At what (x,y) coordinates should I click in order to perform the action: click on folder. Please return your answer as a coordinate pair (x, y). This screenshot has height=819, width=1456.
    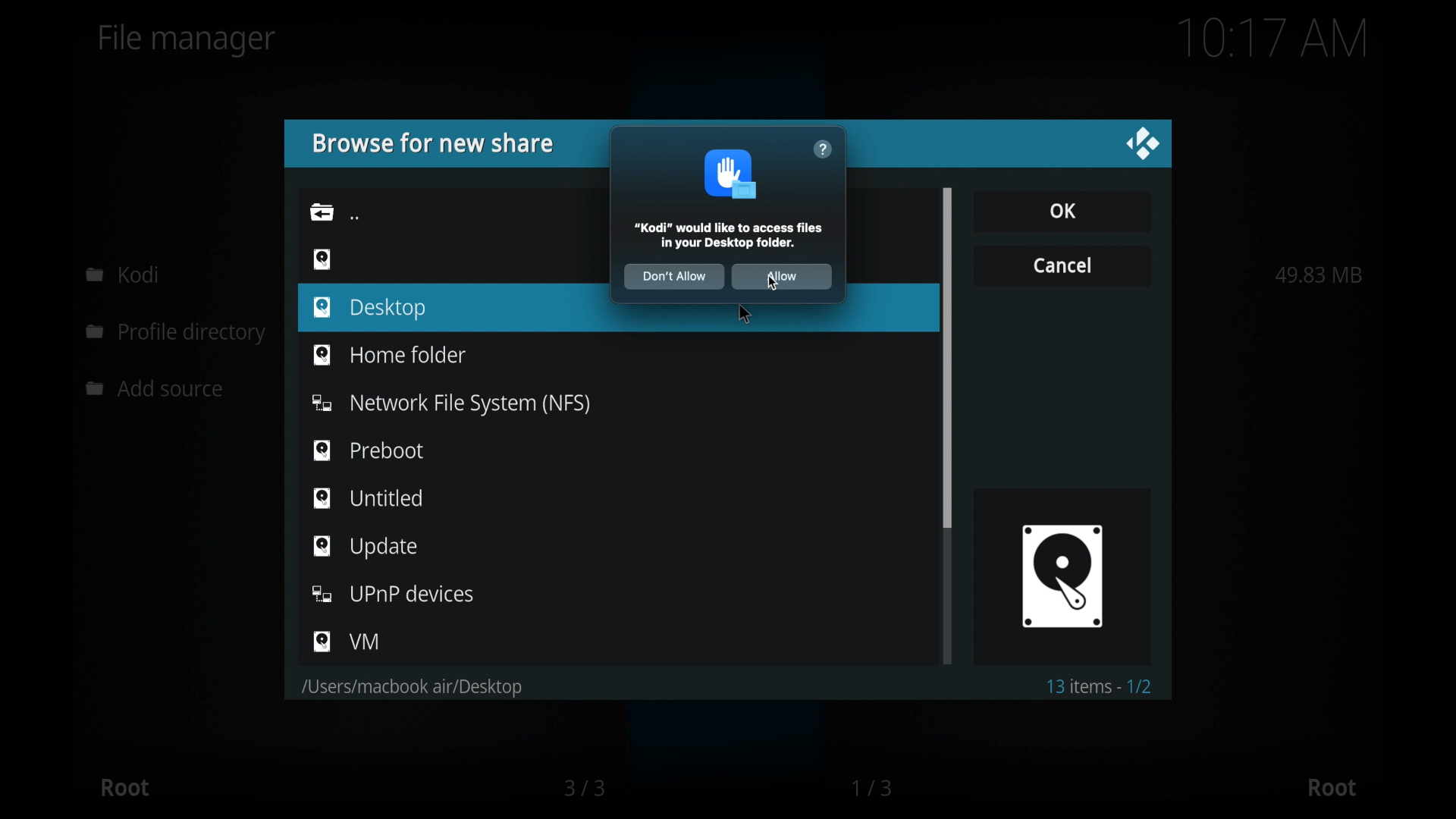
    Looking at the image, I should click on (322, 212).